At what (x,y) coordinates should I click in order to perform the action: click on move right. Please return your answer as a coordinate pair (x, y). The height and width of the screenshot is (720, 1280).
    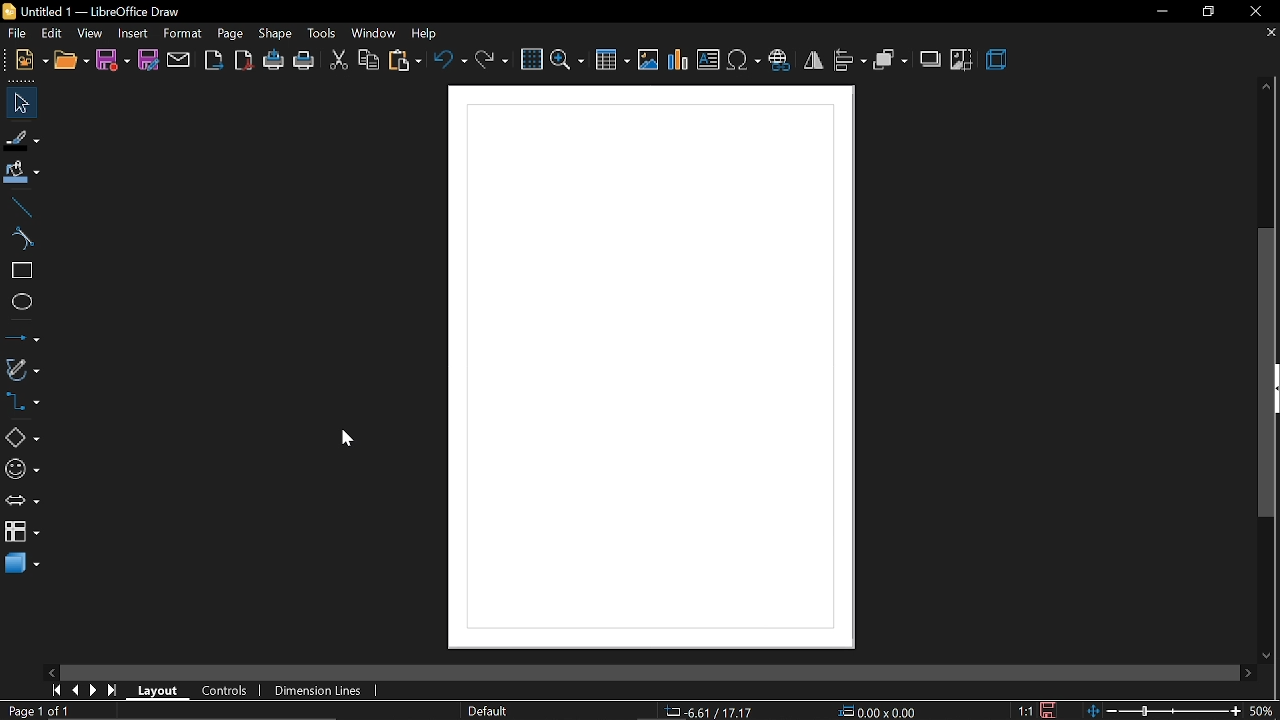
    Looking at the image, I should click on (1246, 671).